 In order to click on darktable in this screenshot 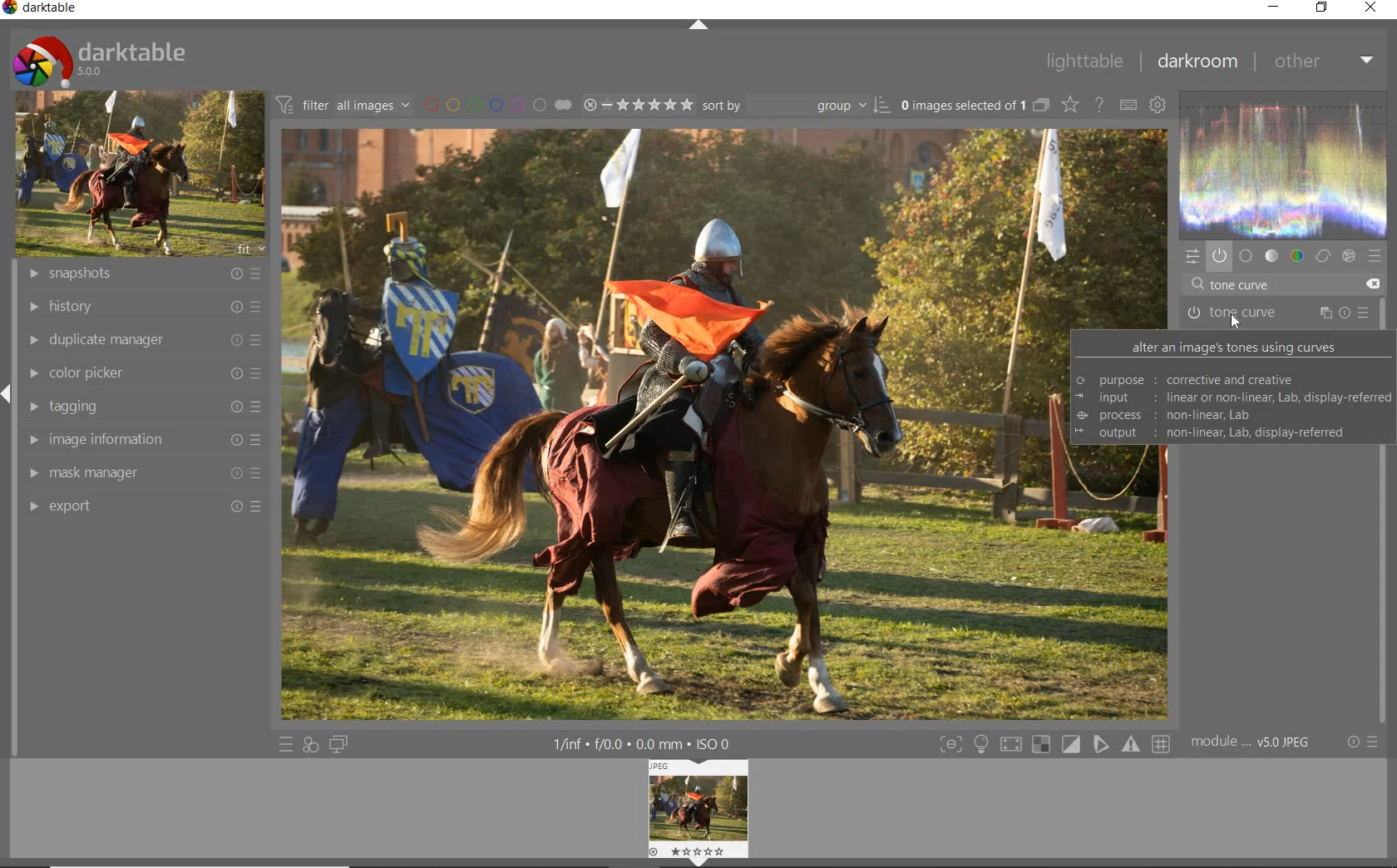, I will do `click(45, 10)`.